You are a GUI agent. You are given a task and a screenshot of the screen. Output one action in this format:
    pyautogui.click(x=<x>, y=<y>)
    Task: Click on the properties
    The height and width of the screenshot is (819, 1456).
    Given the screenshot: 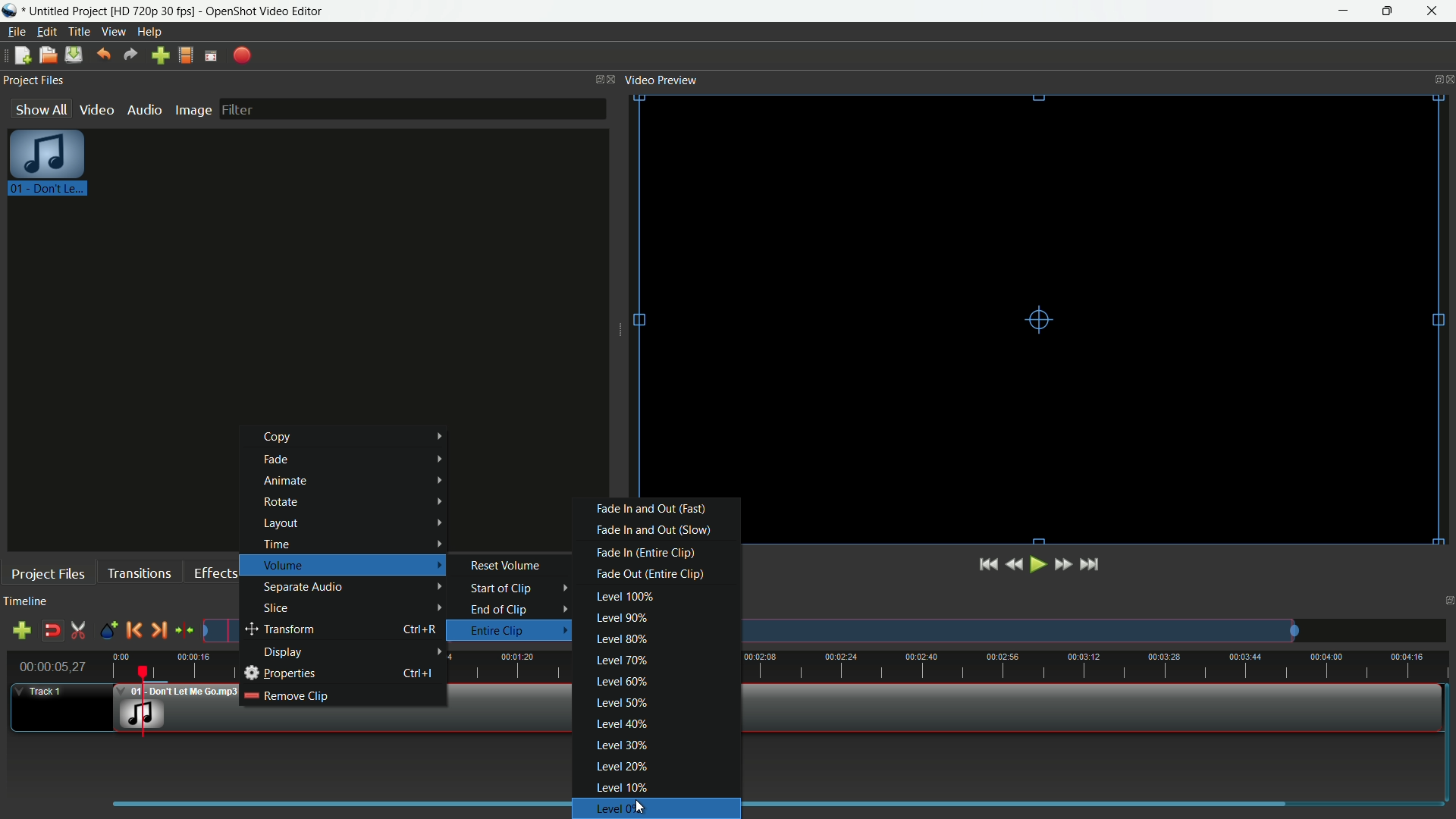 What is the action you would take?
    pyautogui.click(x=280, y=673)
    